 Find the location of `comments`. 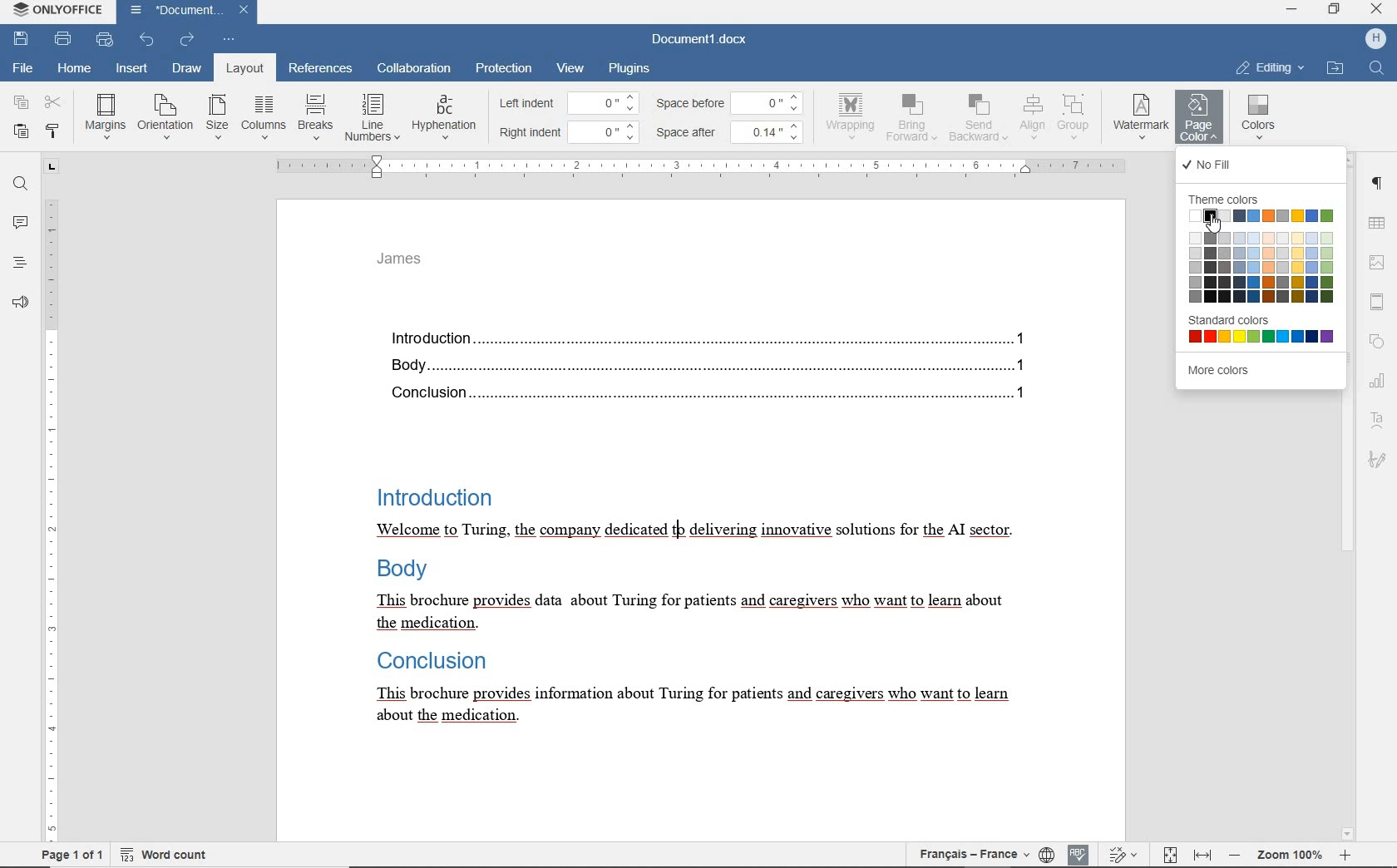

comments is located at coordinates (20, 223).